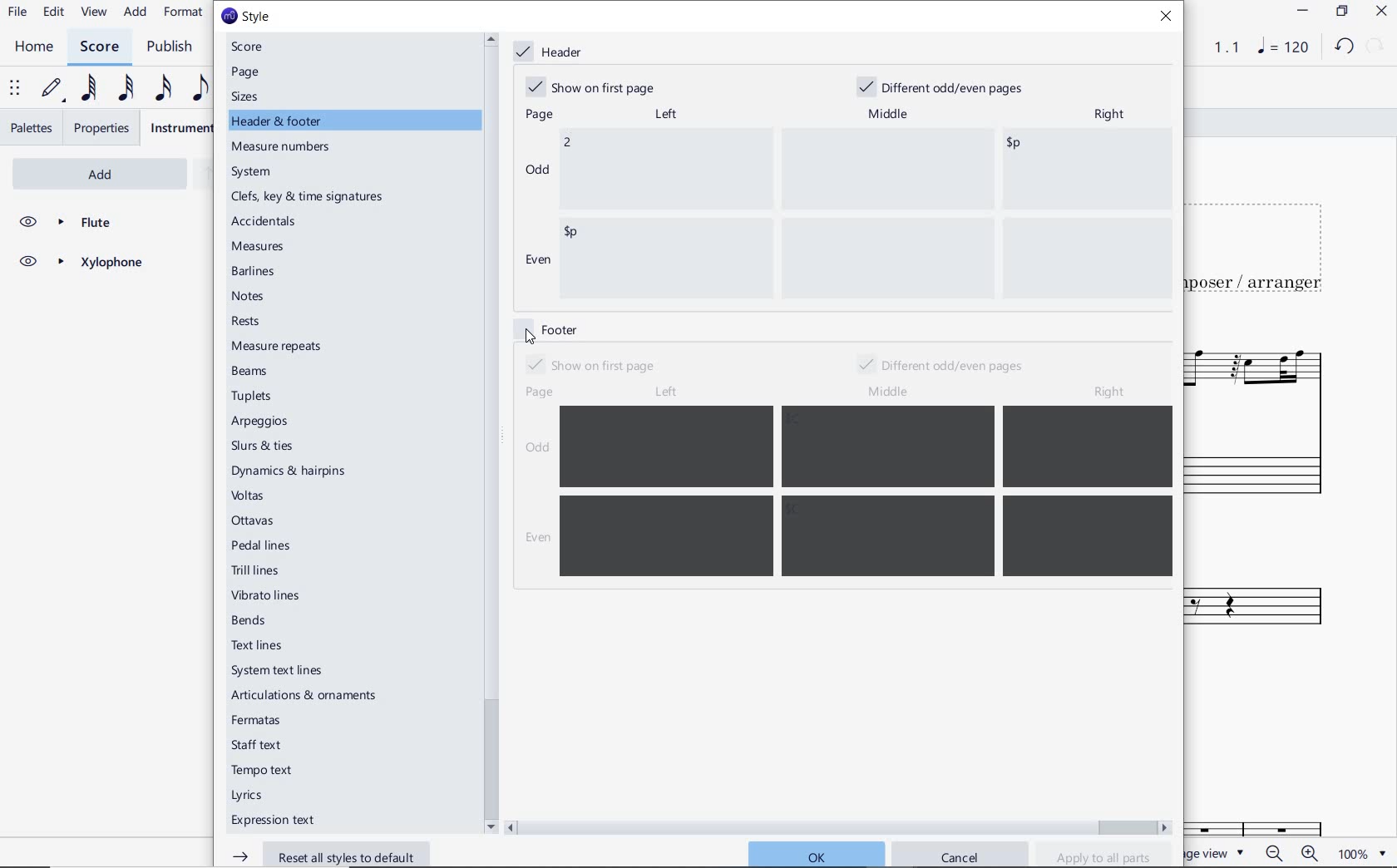 The height and width of the screenshot is (868, 1397). What do you see at coordinates (266, 220) in the screenshot?
I see `accidentals` at bounding box center [266, 220].